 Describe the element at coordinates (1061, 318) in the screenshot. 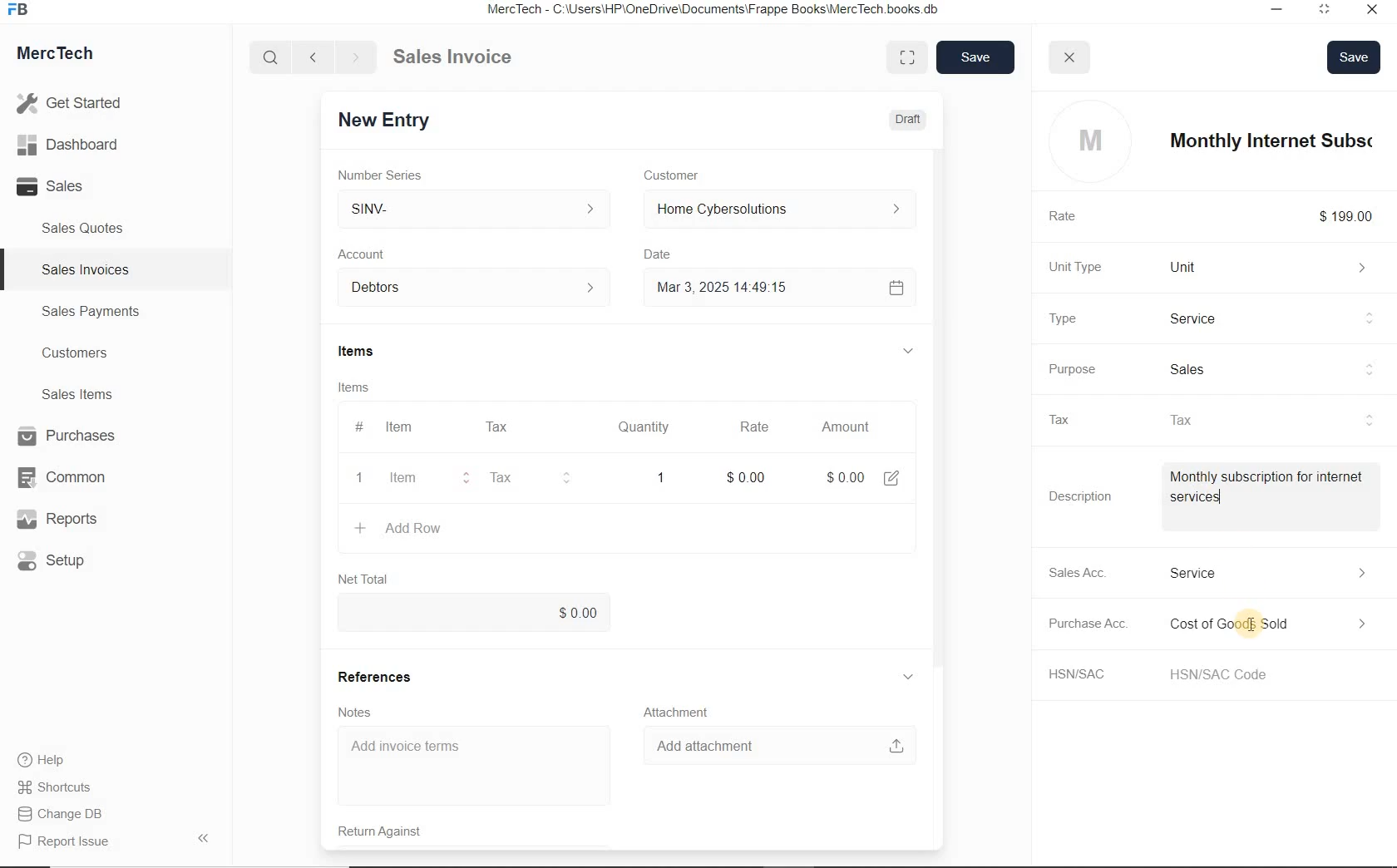

I see `Type` at that location.